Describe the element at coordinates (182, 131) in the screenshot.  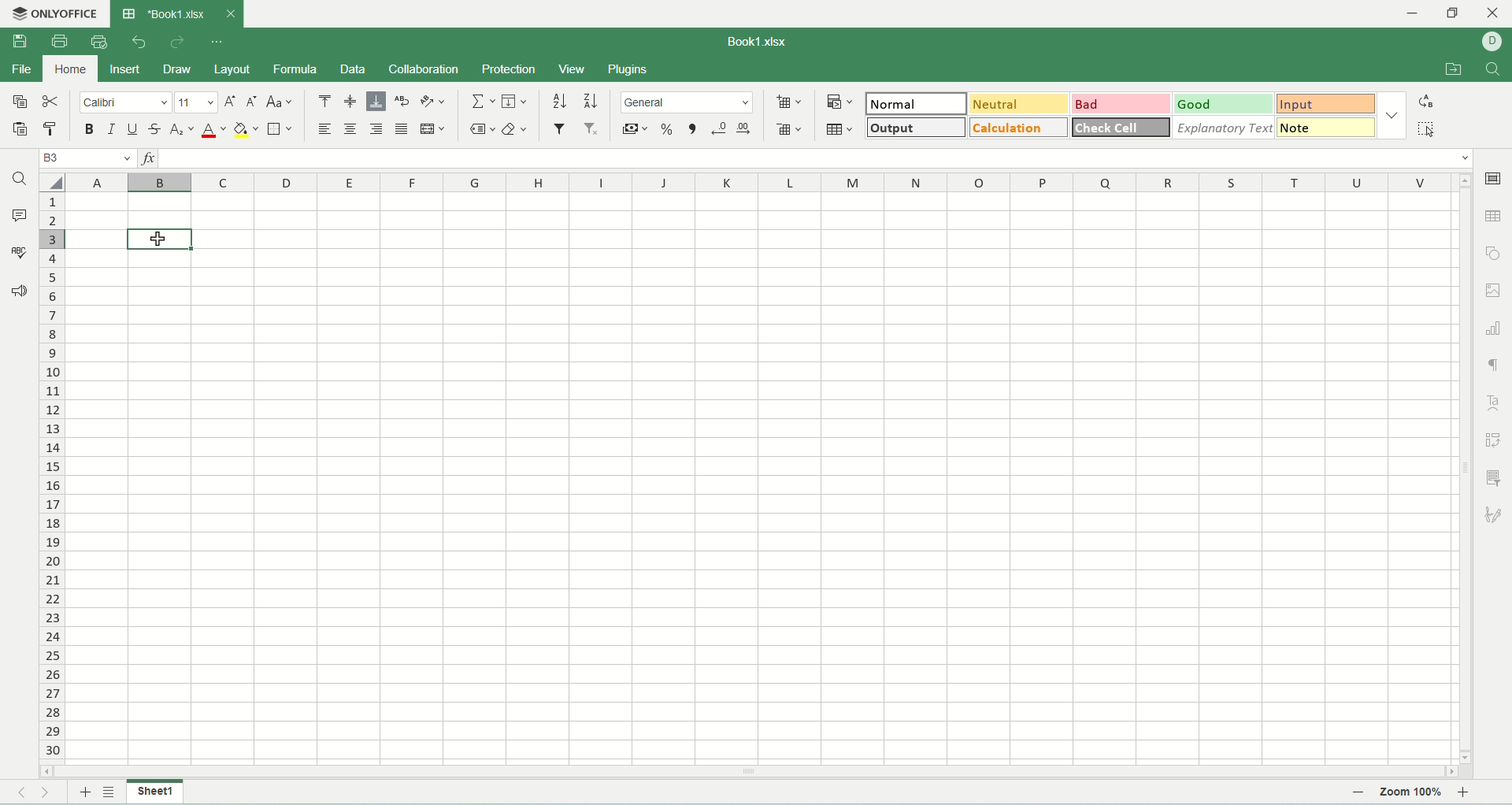
I see `subscript` at that location.